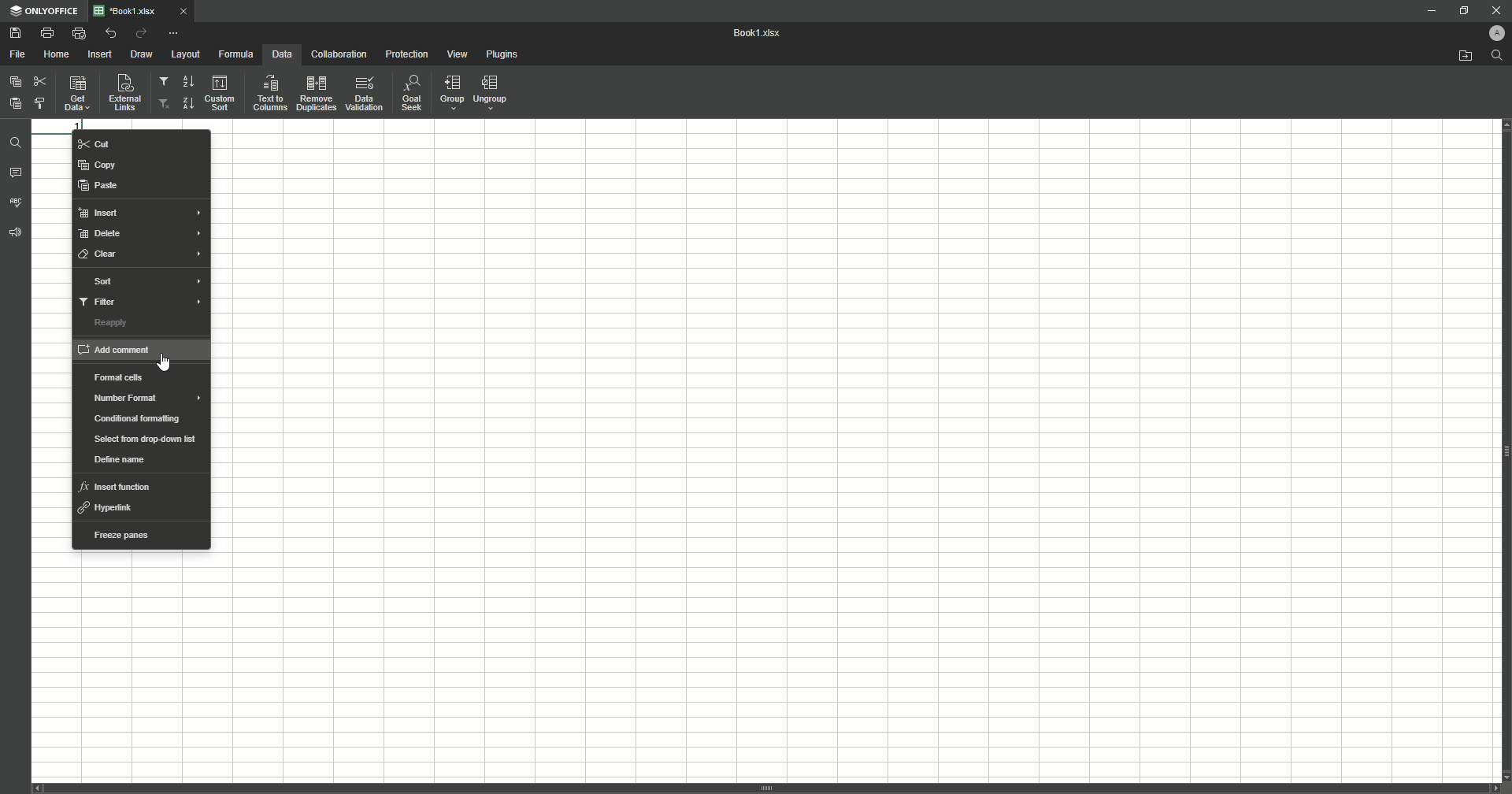 This screenshot has height=794, width=1512. I want to click on Paste, so click(99, 185).